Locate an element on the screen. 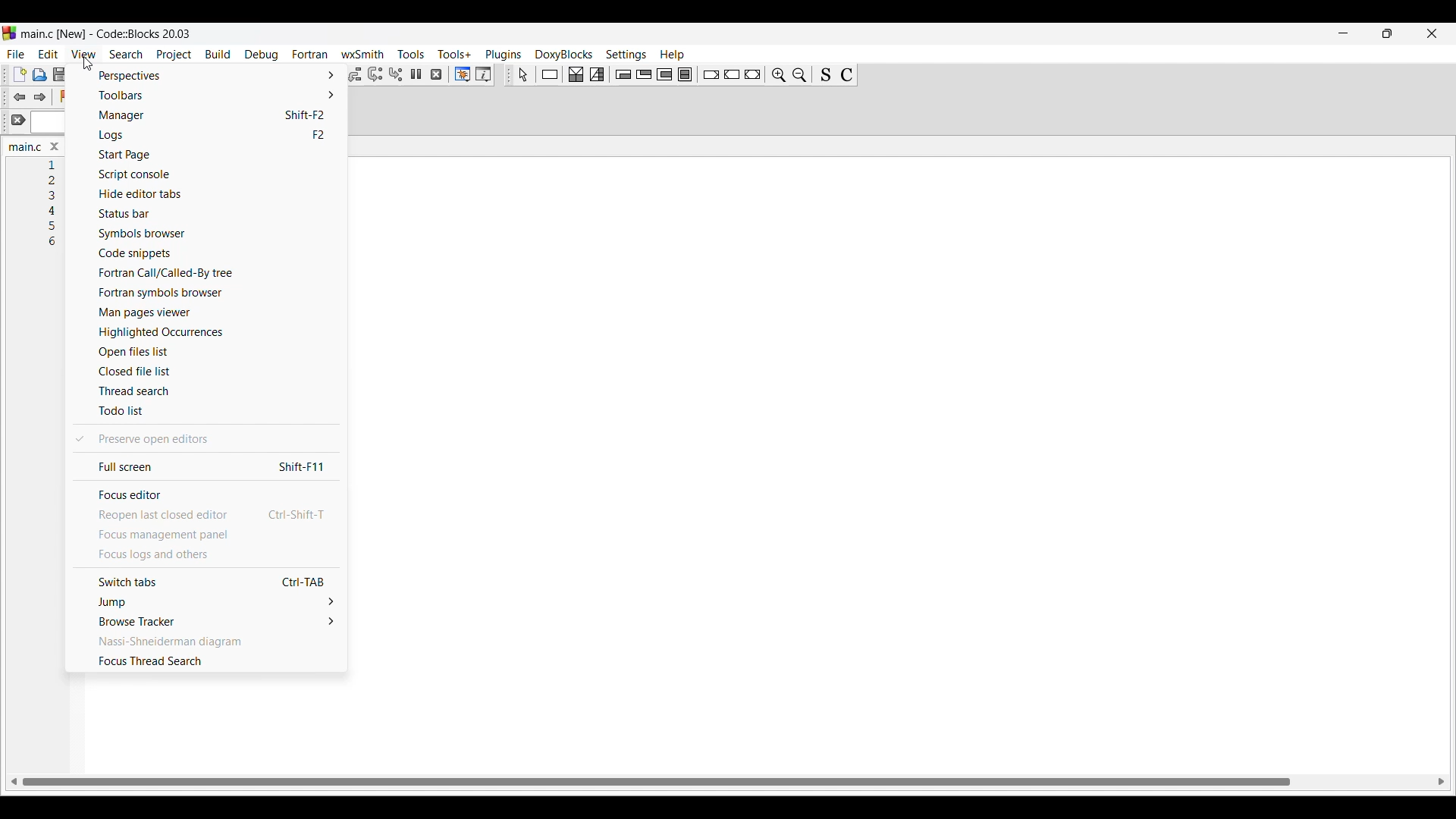  Horizontal slide bar is located at coordinates (728, 781).